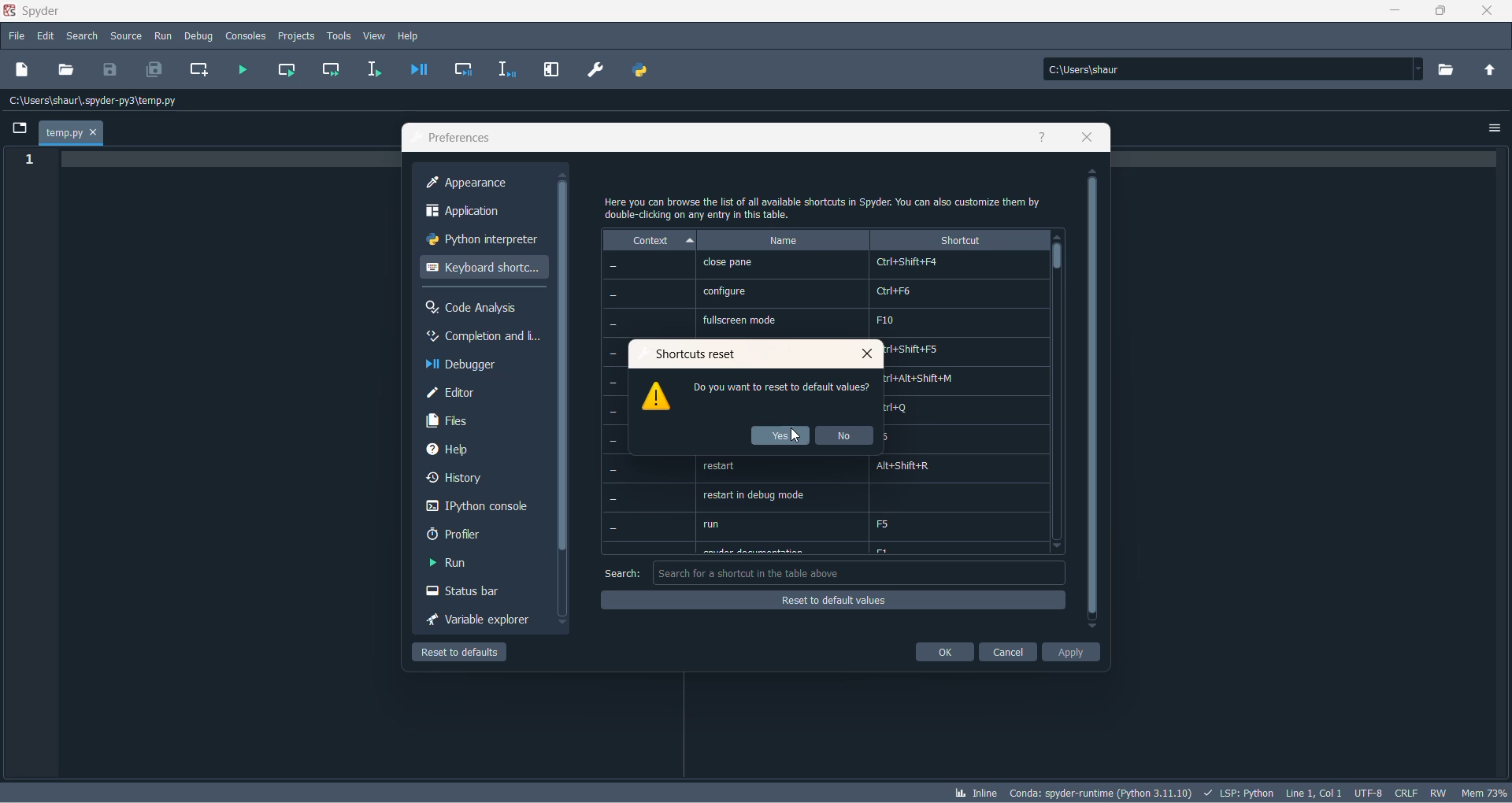 The height and width of the screenshot is (803, 1512). What do you see at coordinates (561, 371) in the screenshot?
I see `scrollbar` at bounding box center [561, 371].